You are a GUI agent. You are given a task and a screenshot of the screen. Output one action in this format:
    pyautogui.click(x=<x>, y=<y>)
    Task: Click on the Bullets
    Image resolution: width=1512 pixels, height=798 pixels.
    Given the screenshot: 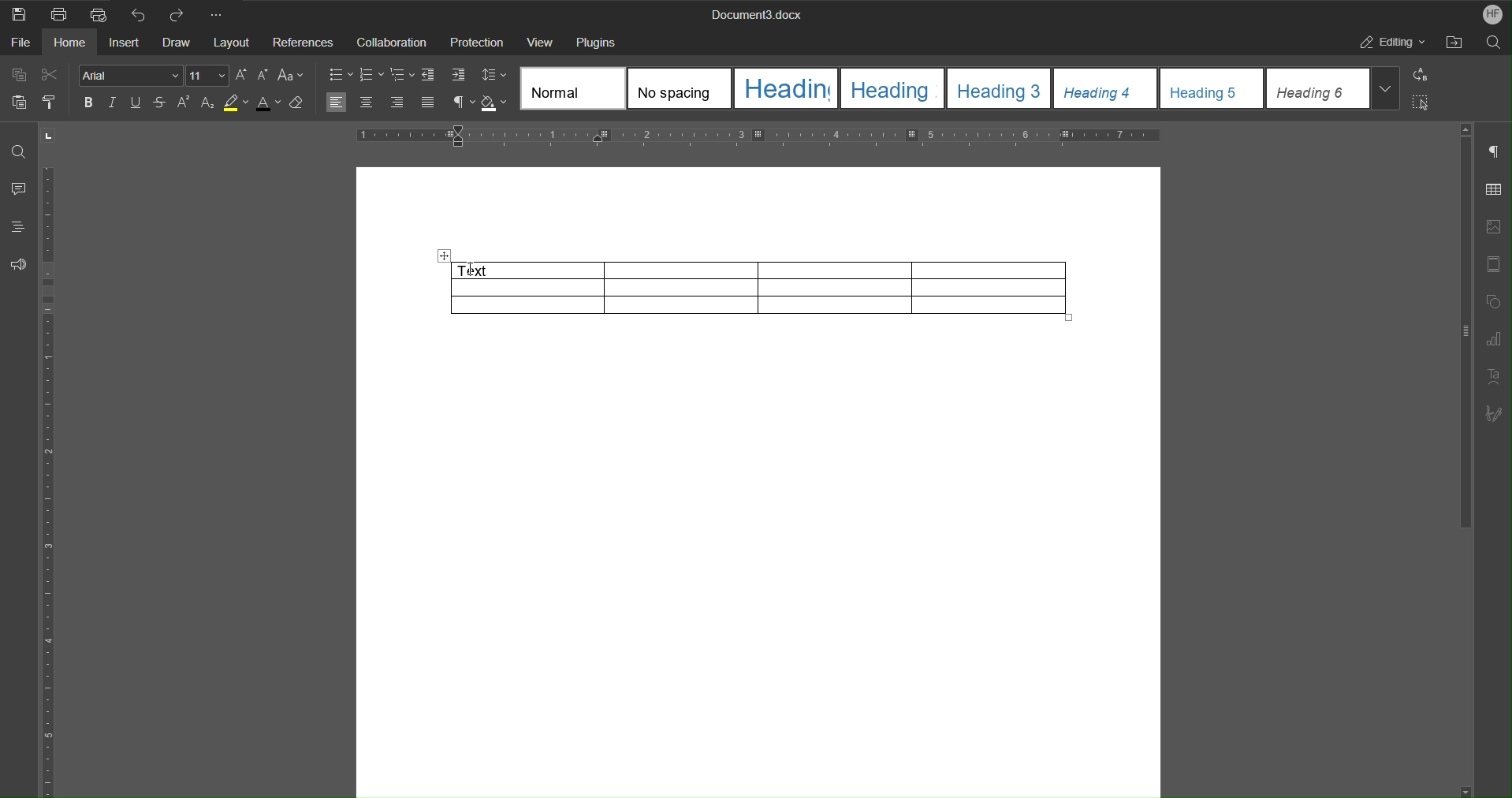 What is the action you would take?
    pyautogui.click(x=339, y=75)
    